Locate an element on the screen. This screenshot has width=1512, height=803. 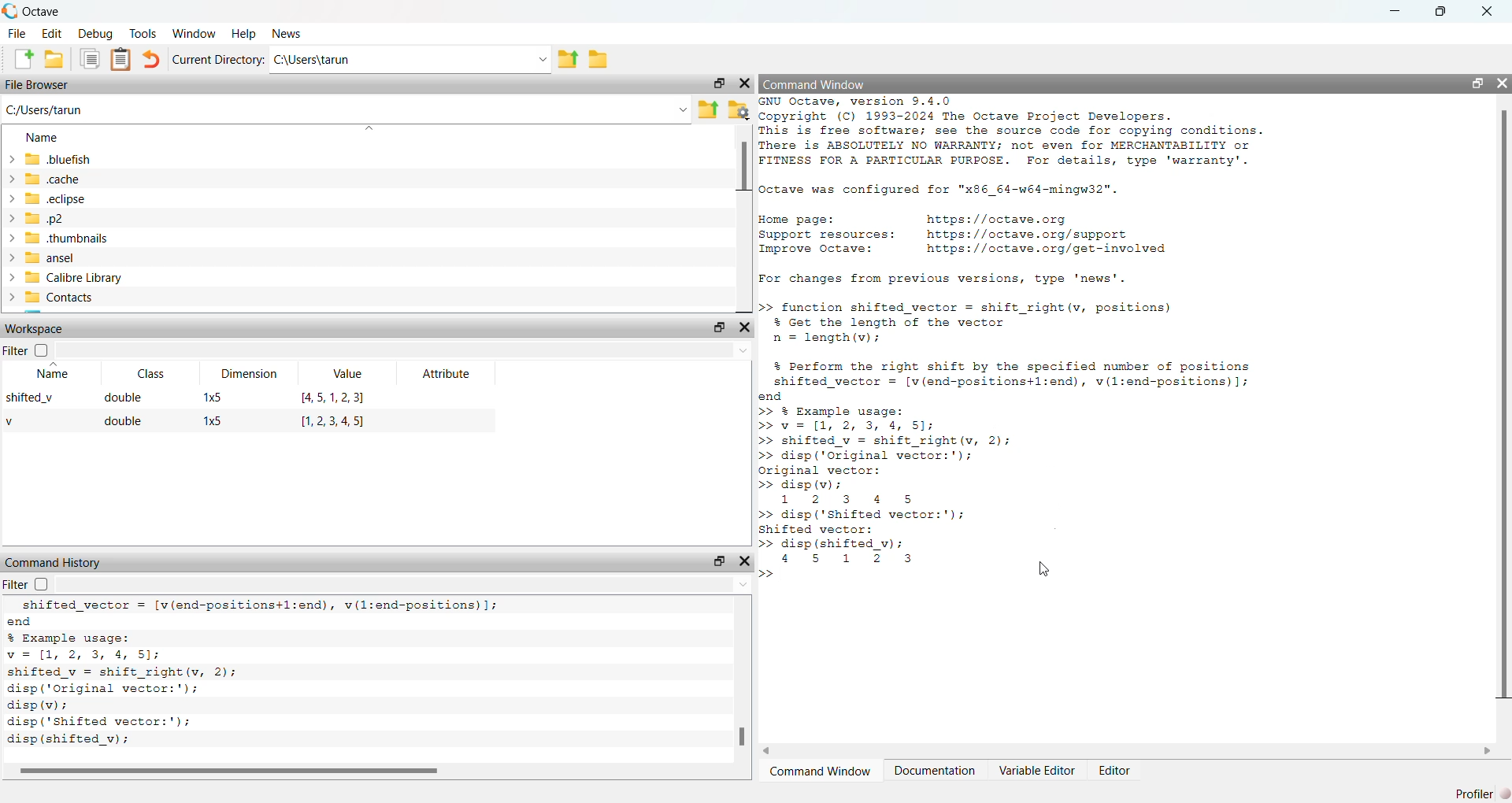
1x5 is located at coordinates (220, 423).